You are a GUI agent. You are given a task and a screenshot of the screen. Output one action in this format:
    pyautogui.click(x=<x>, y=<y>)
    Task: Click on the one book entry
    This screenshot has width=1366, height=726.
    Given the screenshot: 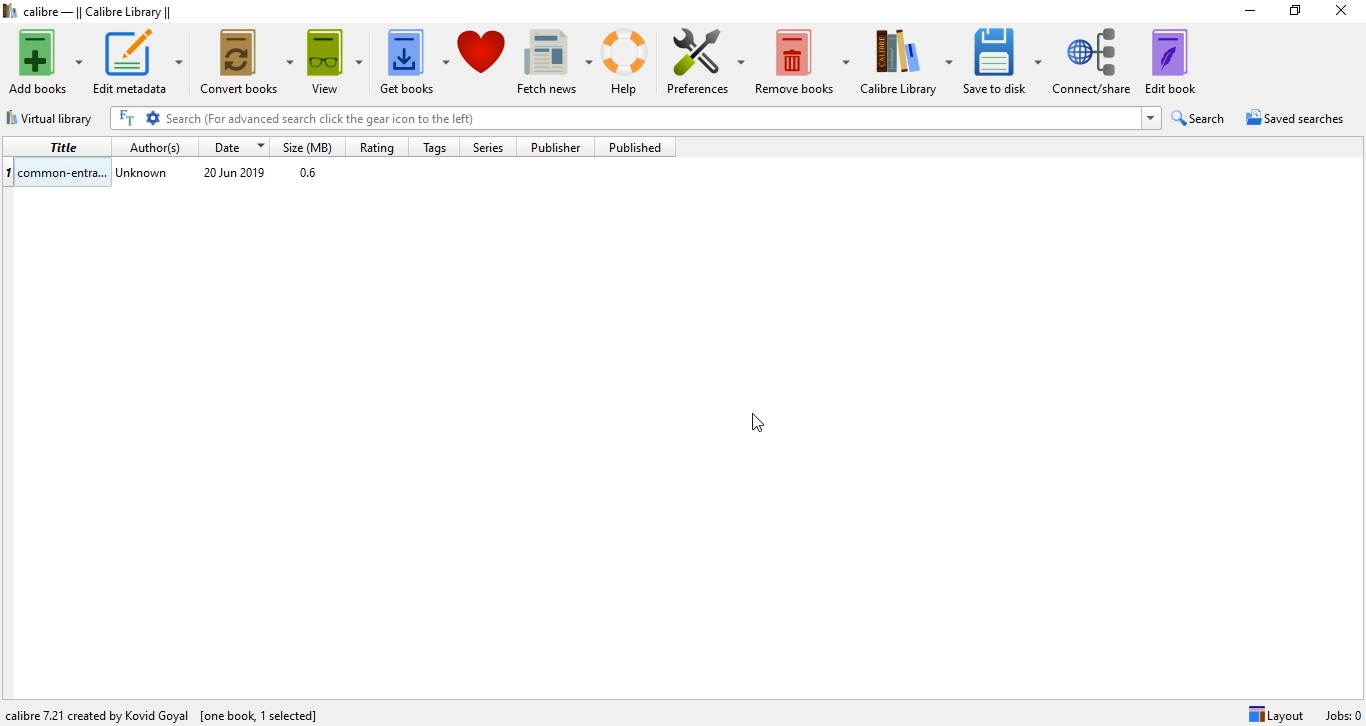 What is the action you would take?
    pyautogui.click(x=338, y=173)
    